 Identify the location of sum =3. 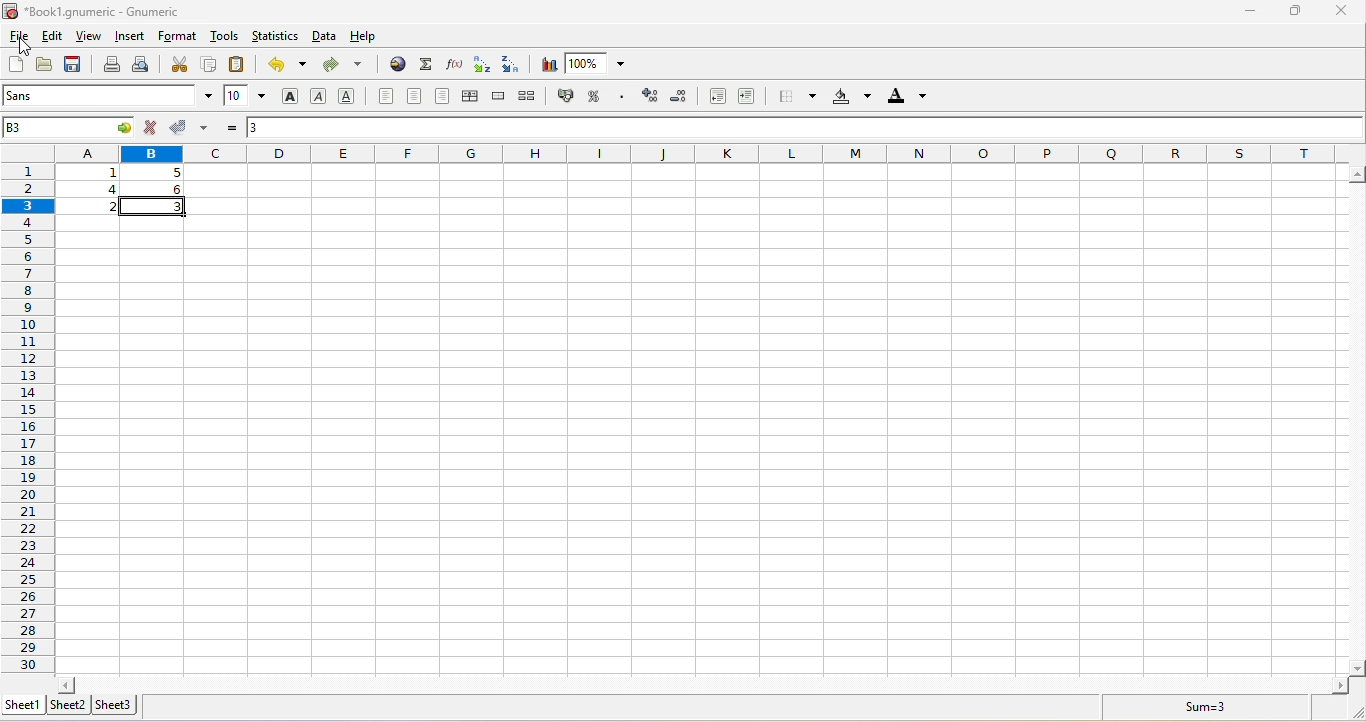
(1193, 707).